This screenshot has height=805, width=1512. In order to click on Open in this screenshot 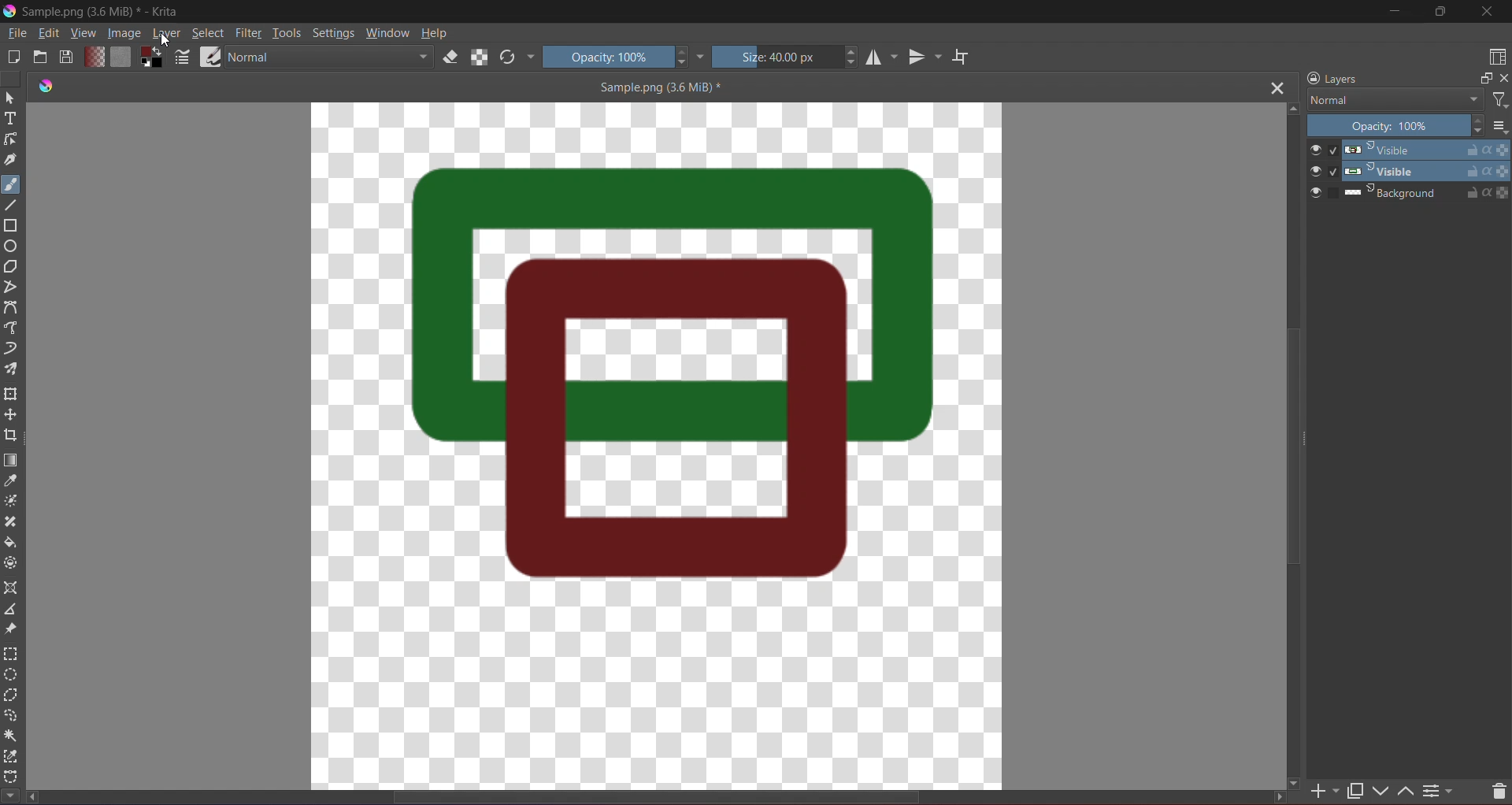, I will do `click(41, 57)`.